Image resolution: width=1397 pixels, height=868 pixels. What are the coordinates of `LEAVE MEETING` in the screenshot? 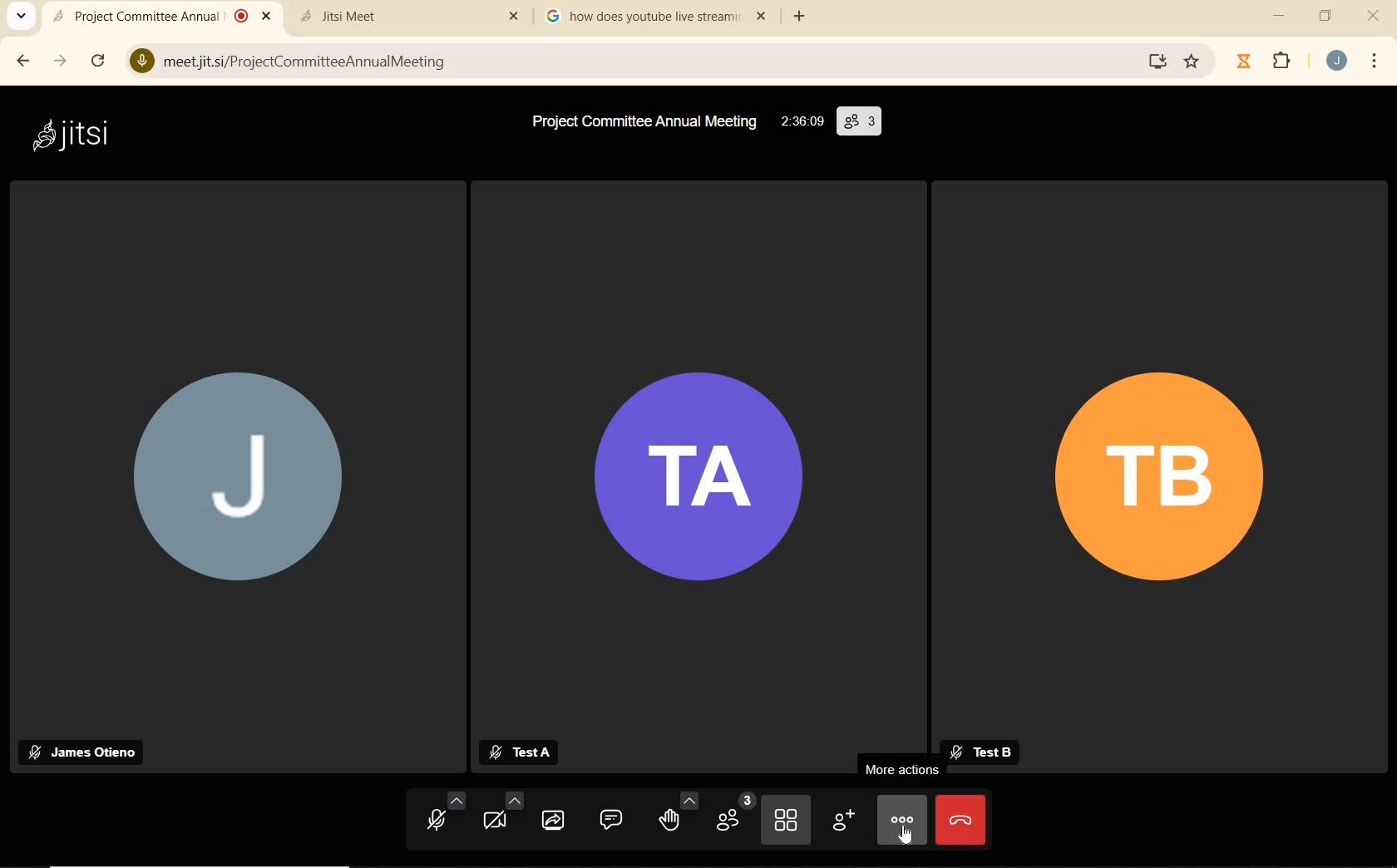 It's located at (962, 819).